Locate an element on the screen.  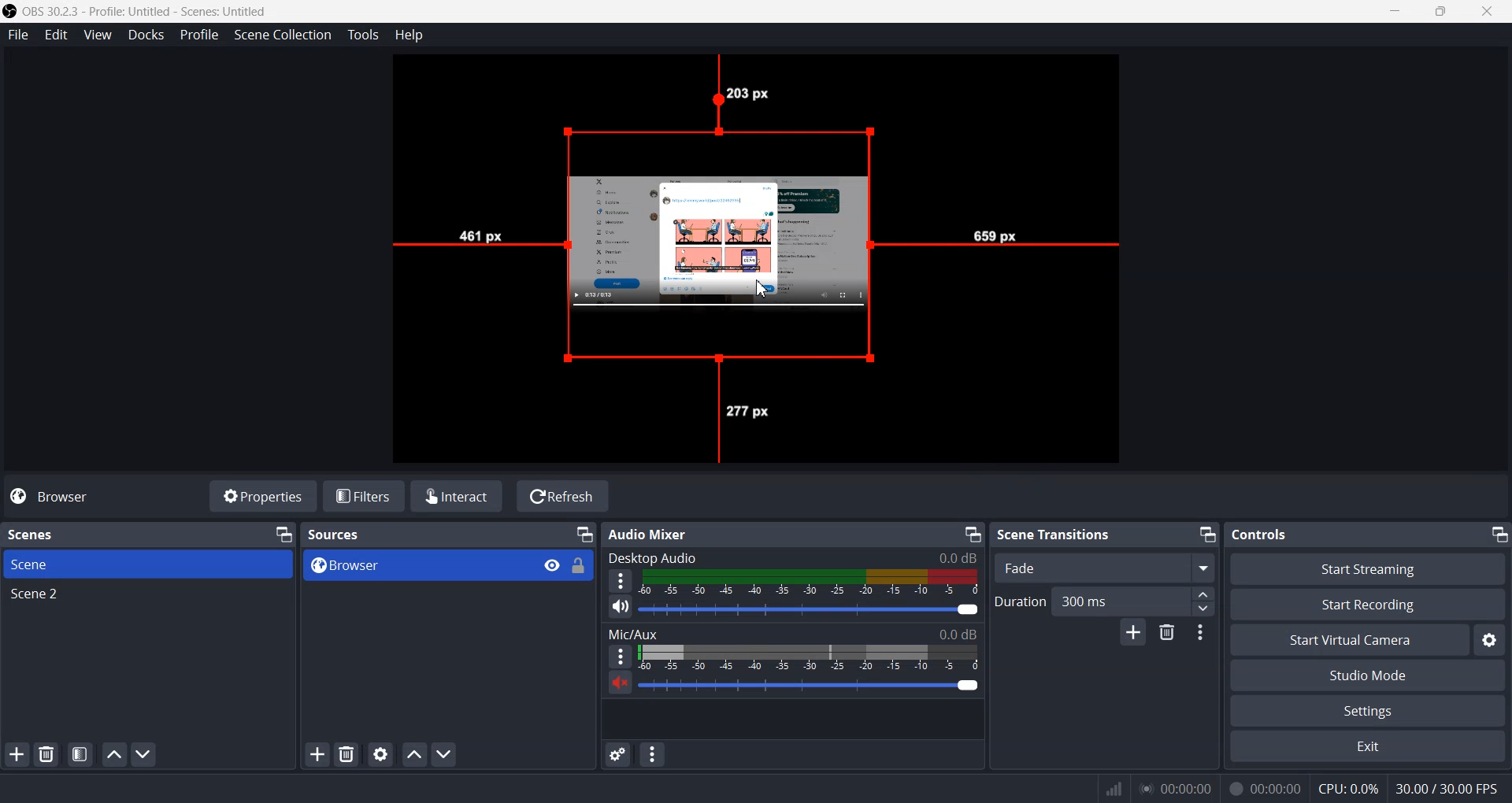
Minimize is located at coordinates (1208, 535).